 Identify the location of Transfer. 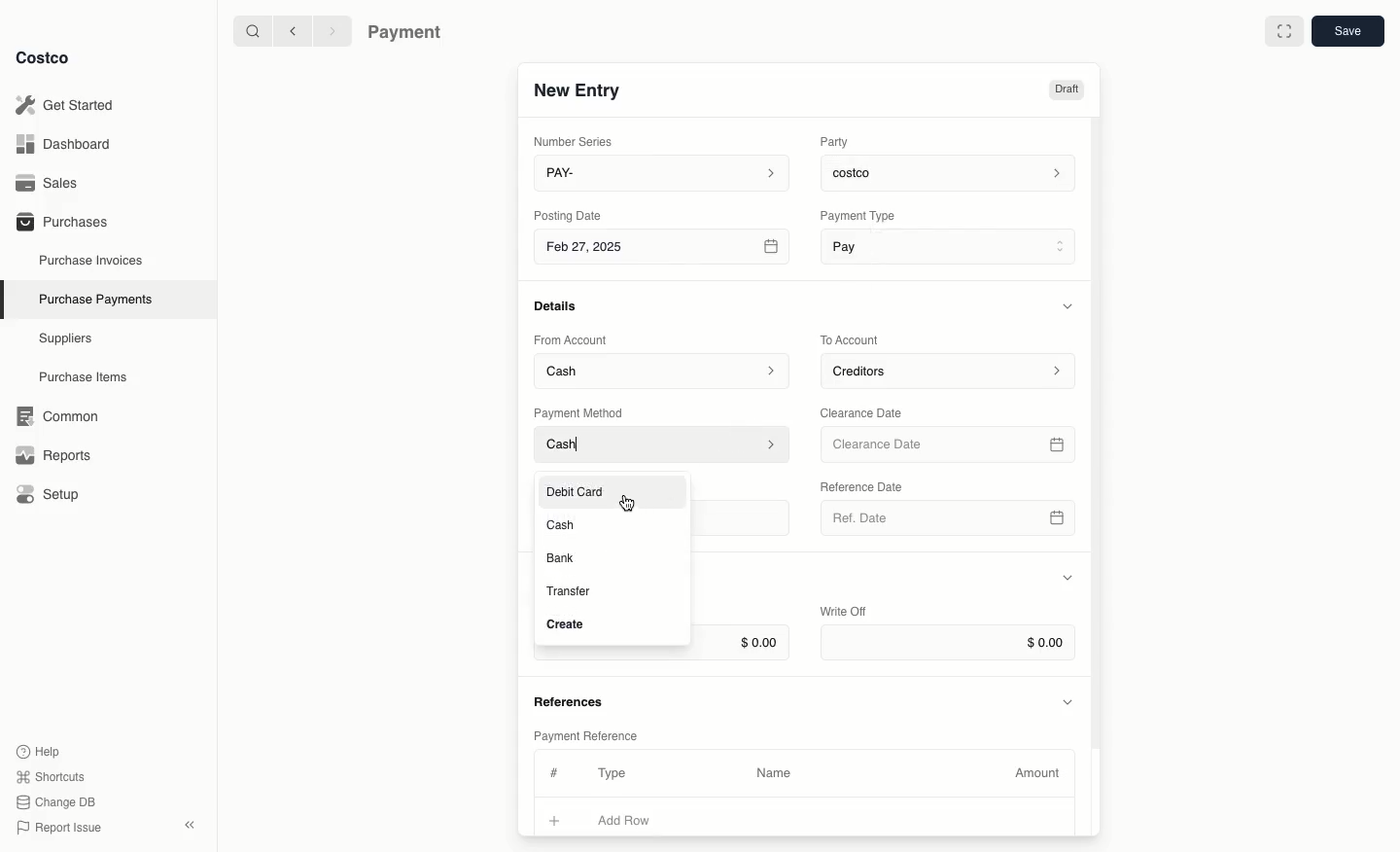
(568, 592).